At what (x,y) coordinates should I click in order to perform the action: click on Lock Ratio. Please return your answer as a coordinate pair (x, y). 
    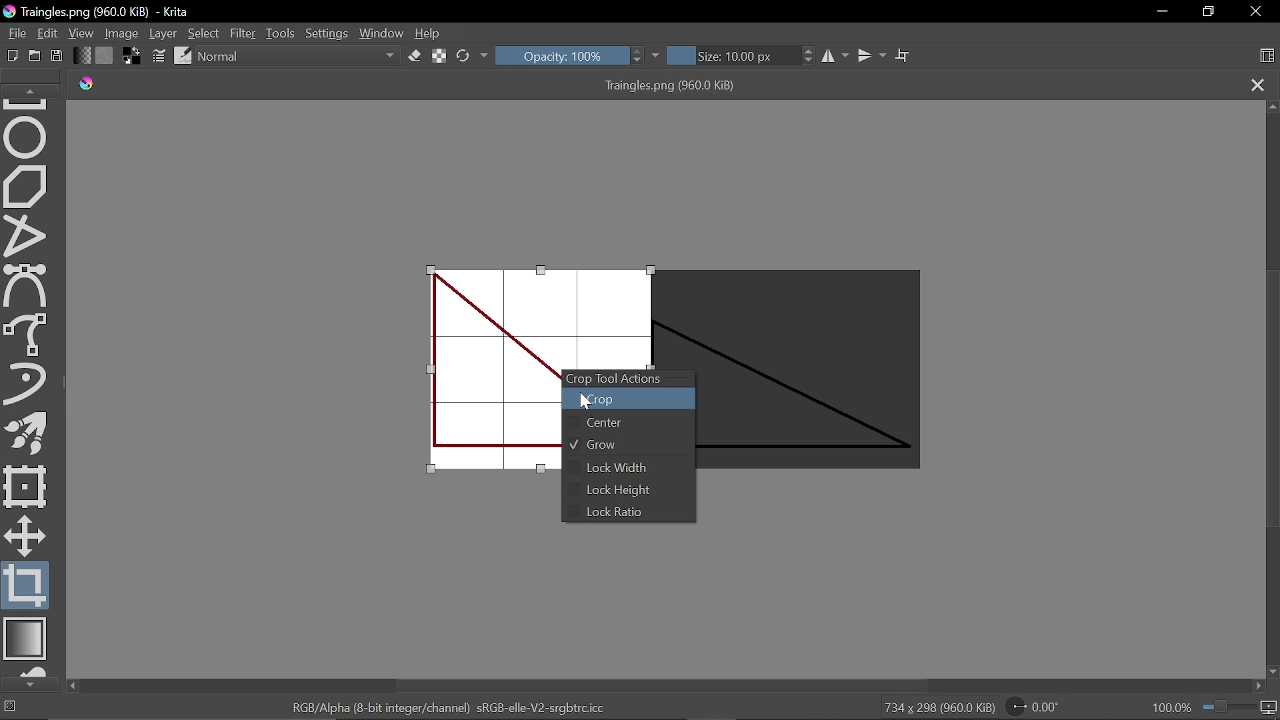
    Looking at the image, I should click on (622, 512).